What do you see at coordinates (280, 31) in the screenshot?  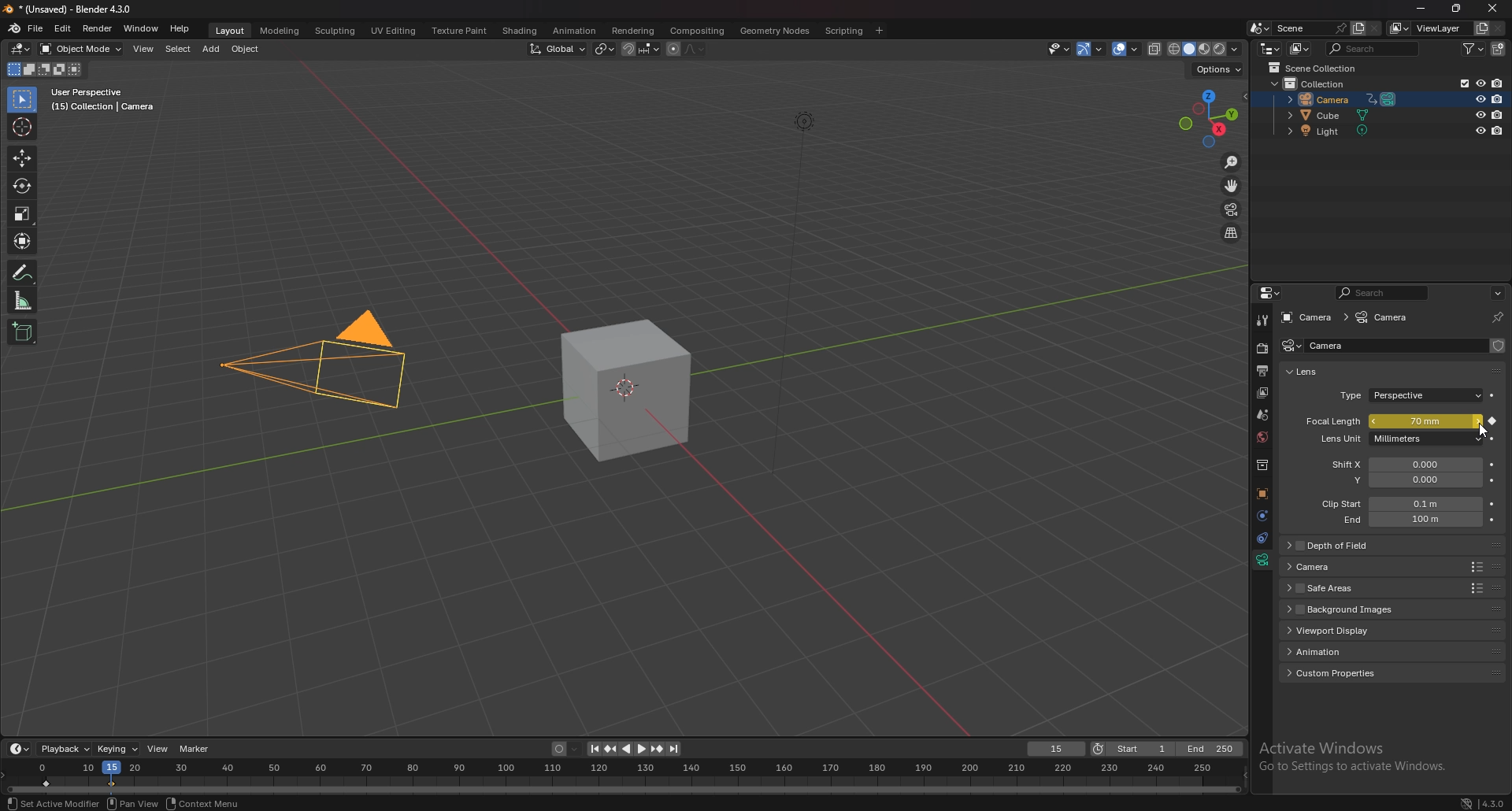 I see `modeling` at bounding box center [280, 31].